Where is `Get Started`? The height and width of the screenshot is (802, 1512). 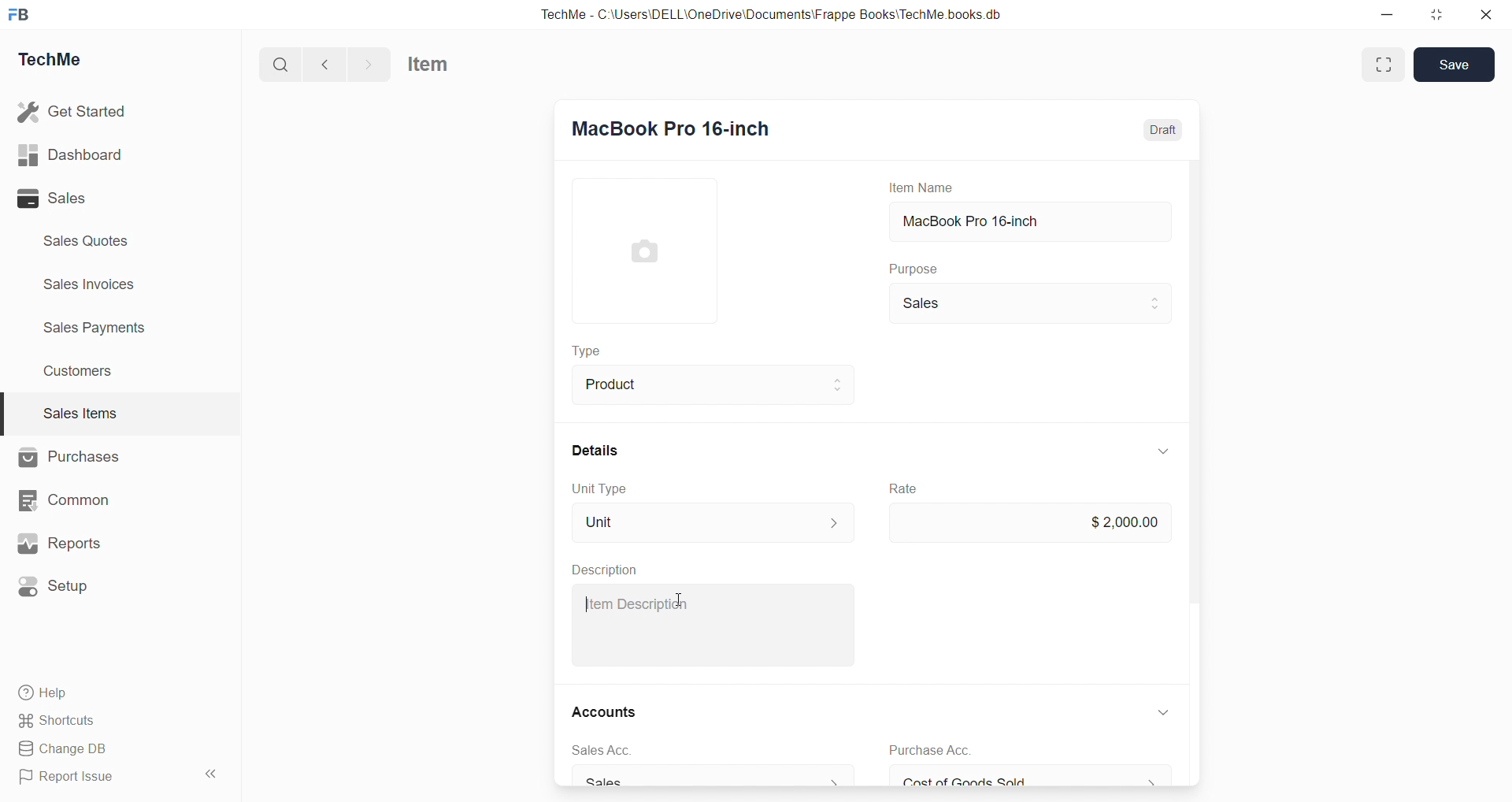
Get Started is located at coordinates (73, 112).